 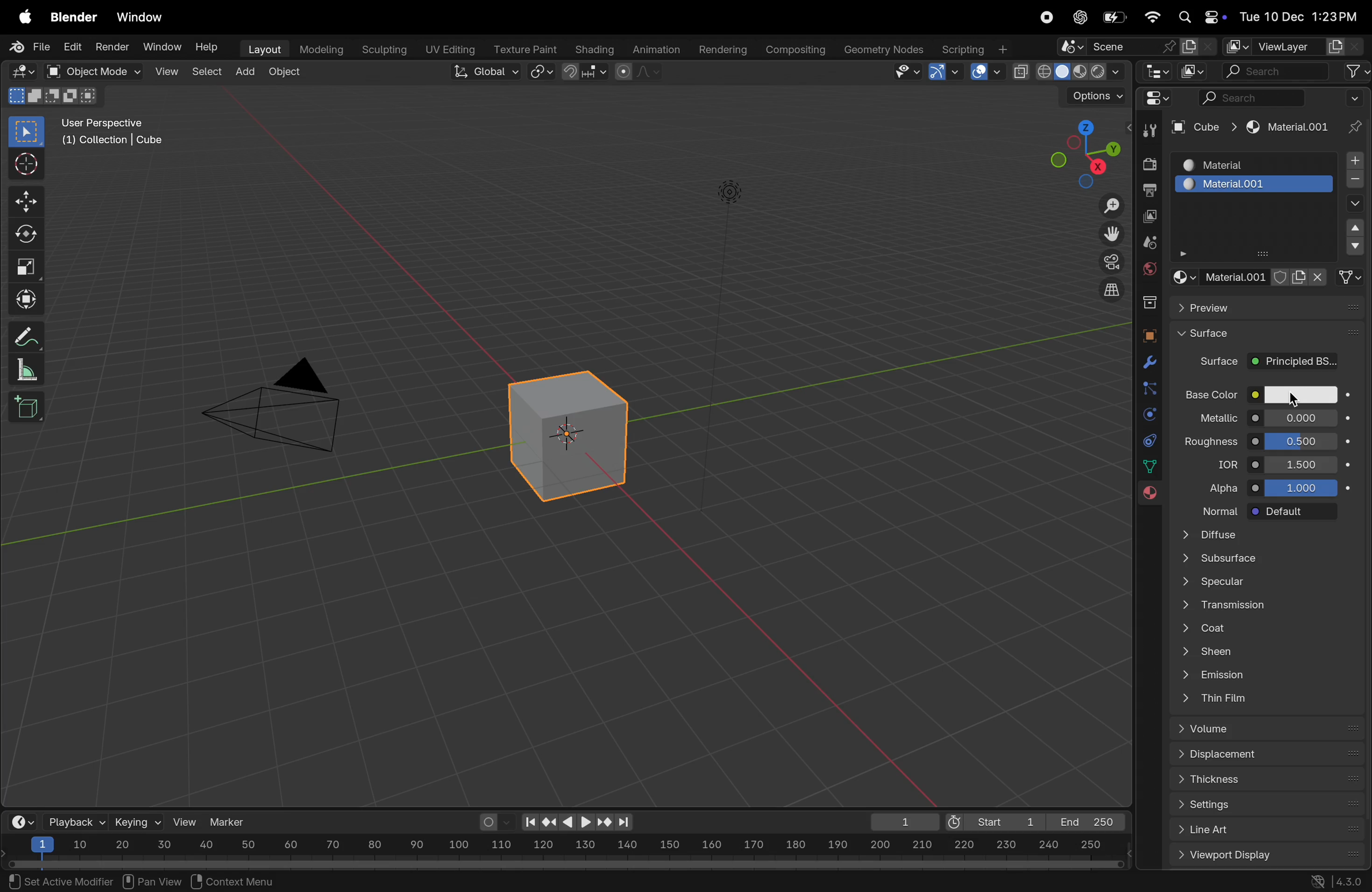 I want to click on matrerial 001, so click(x=1256, y=184).